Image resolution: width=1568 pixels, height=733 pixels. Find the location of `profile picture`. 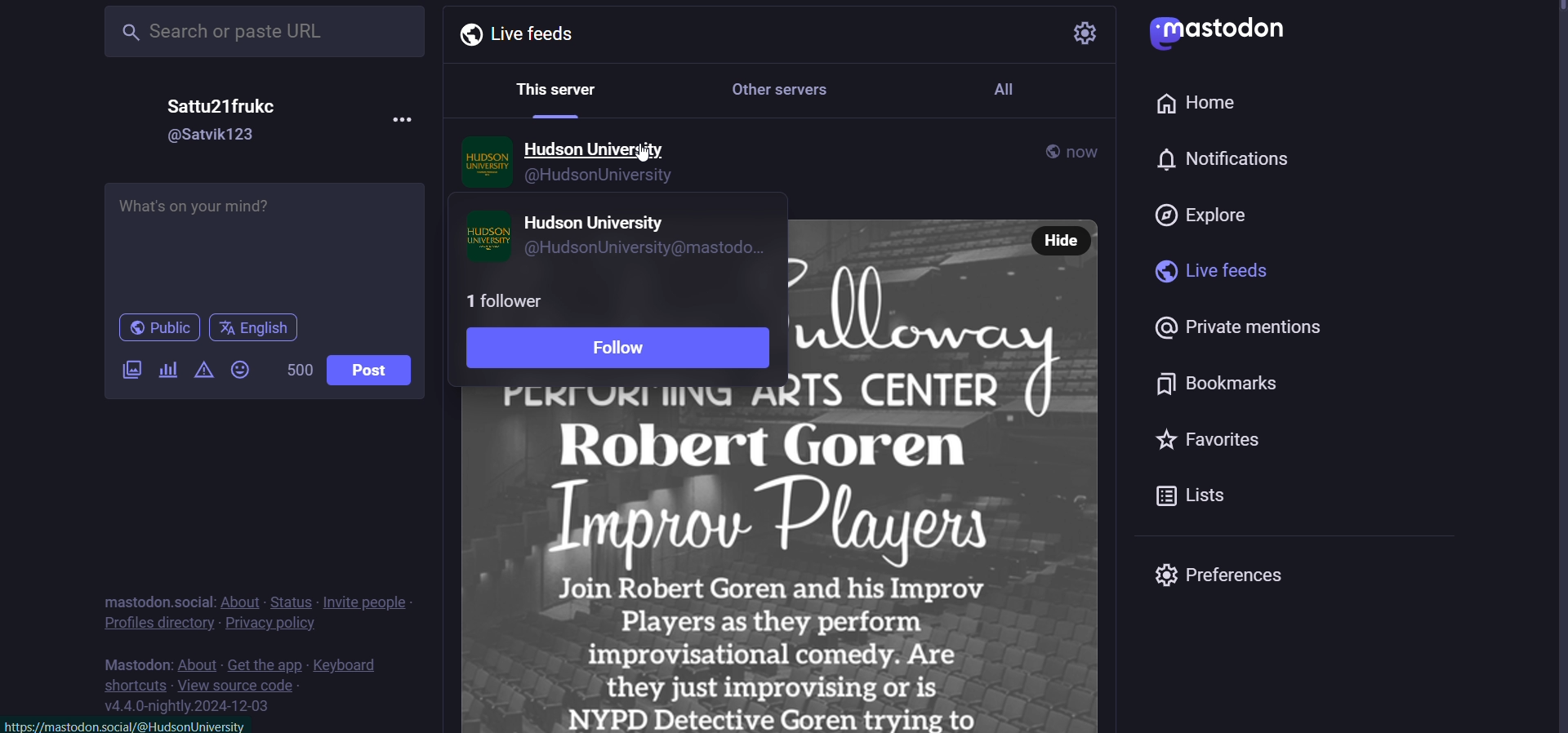

profile picture is located at coordinates (485, 238).